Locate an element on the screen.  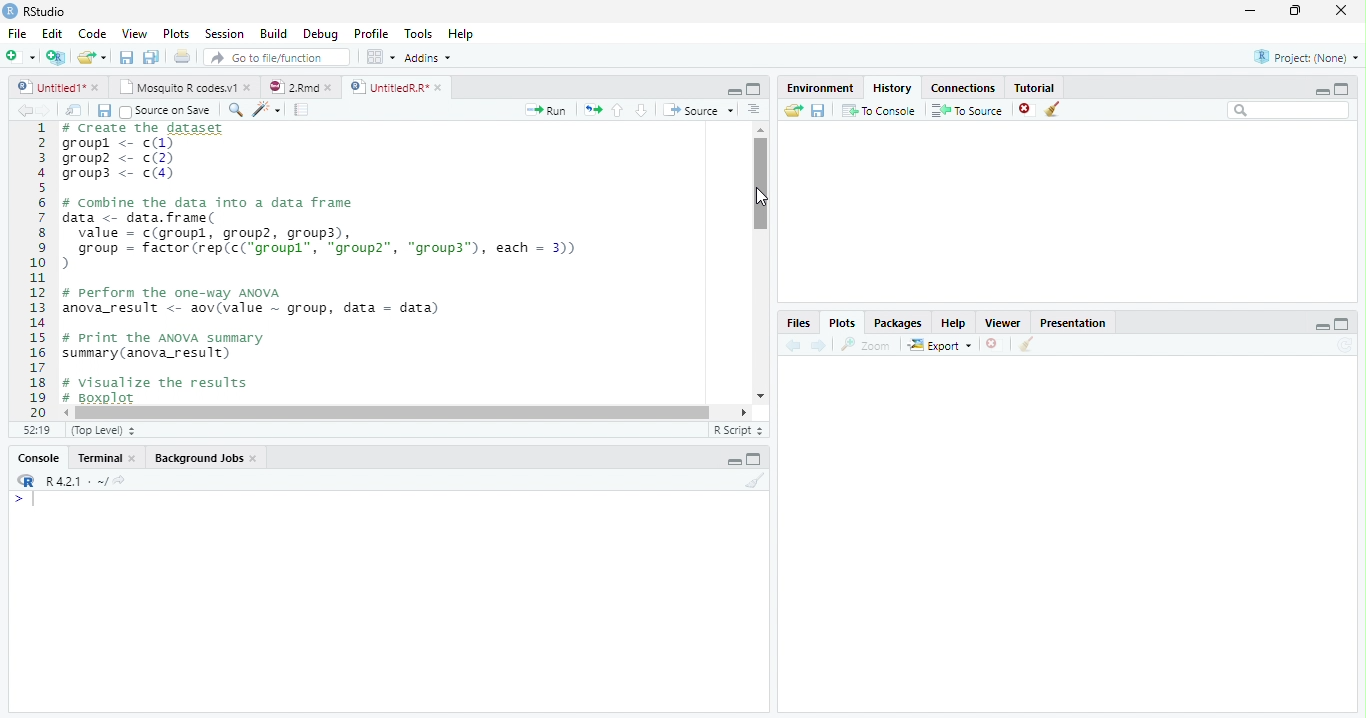
Help is located at coordinates (460, 36).